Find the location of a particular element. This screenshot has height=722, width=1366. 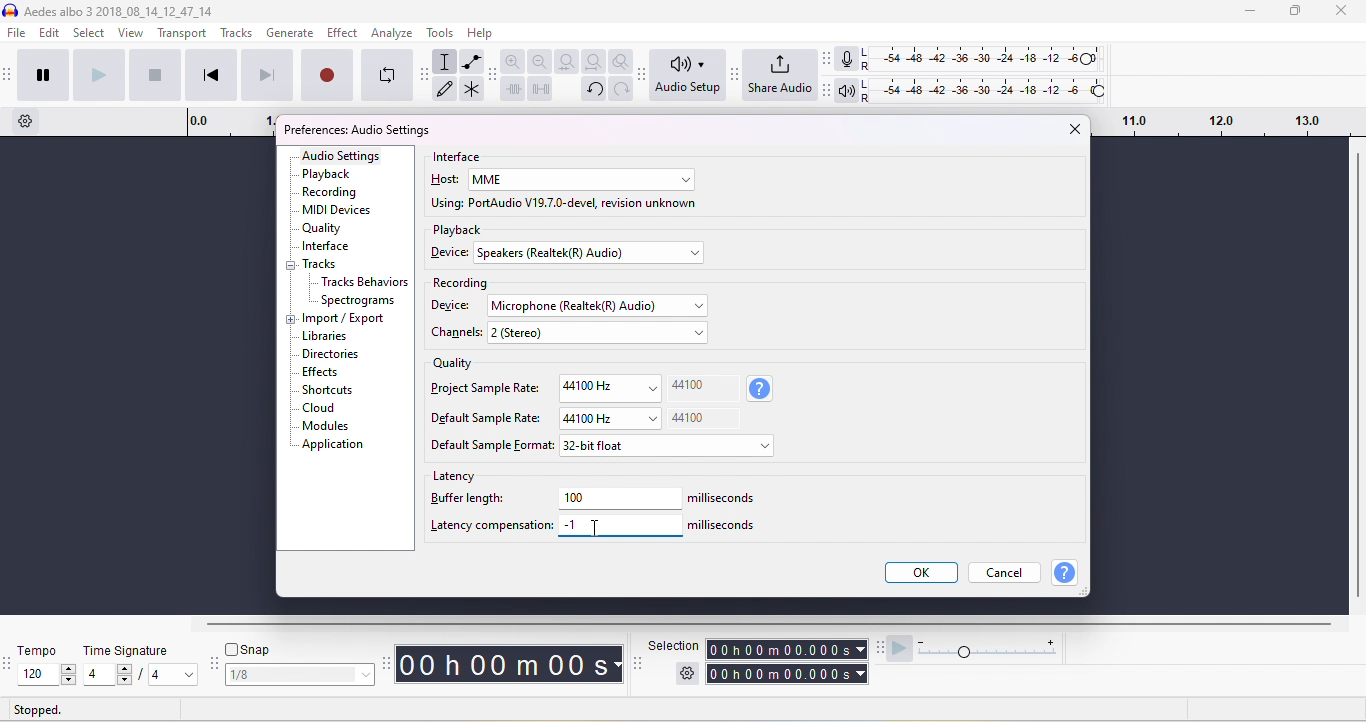

playback is located at coordinates (327, 174).